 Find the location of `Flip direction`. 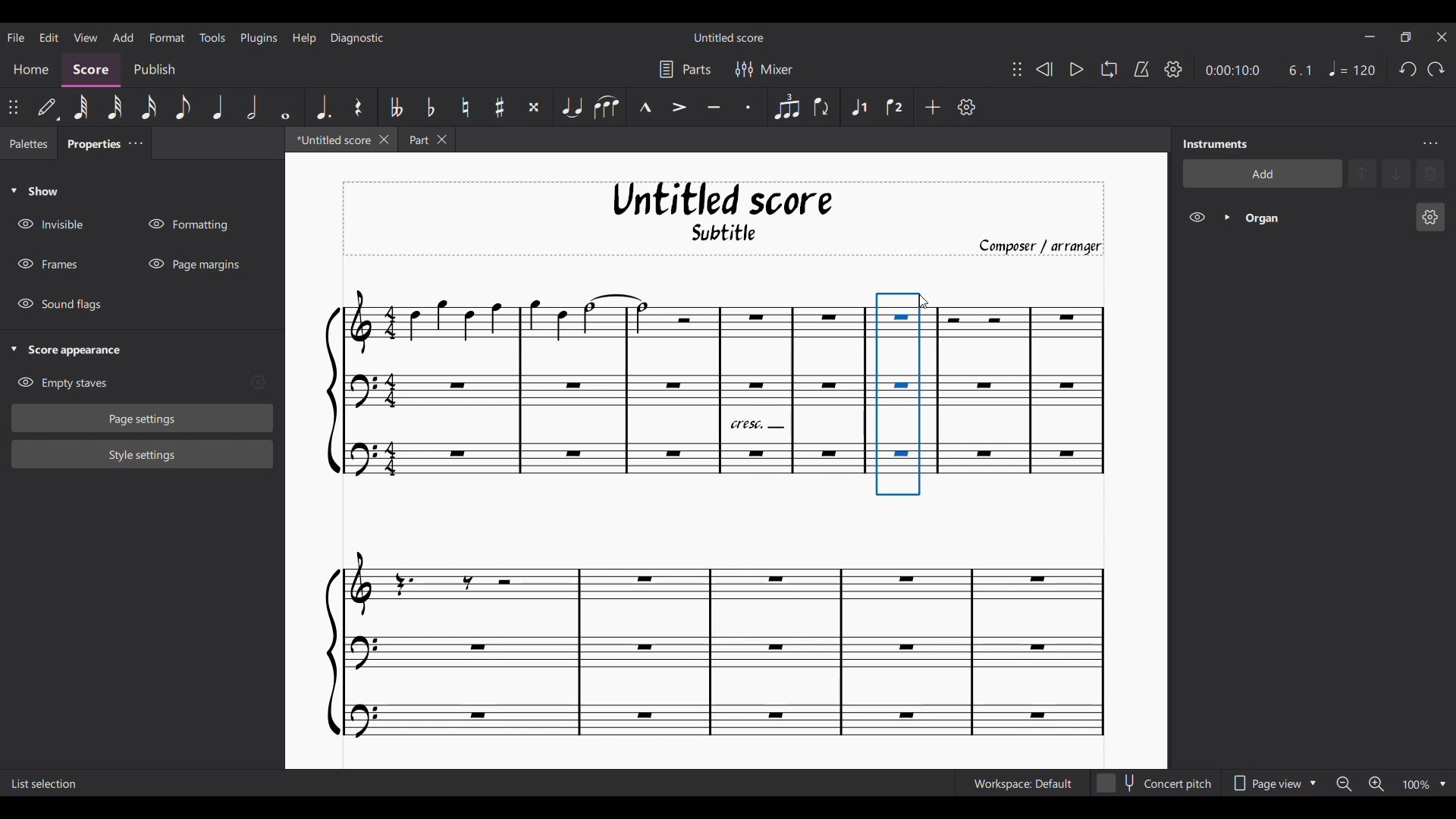

Flip direction is located at coordinates (822, 107).